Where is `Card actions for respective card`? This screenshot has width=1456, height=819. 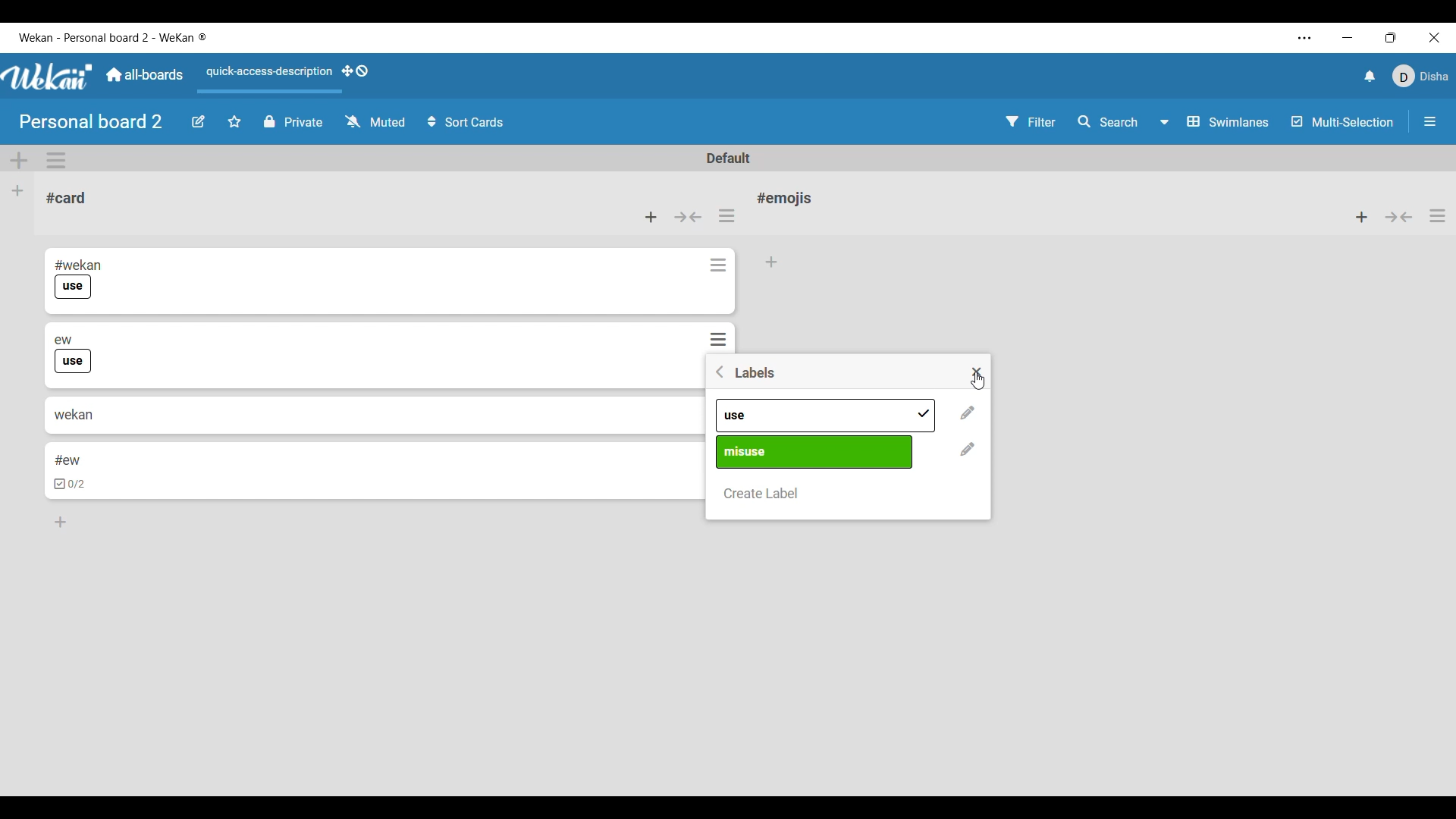 Card actions for respective card is located at coordinates (718, 340).